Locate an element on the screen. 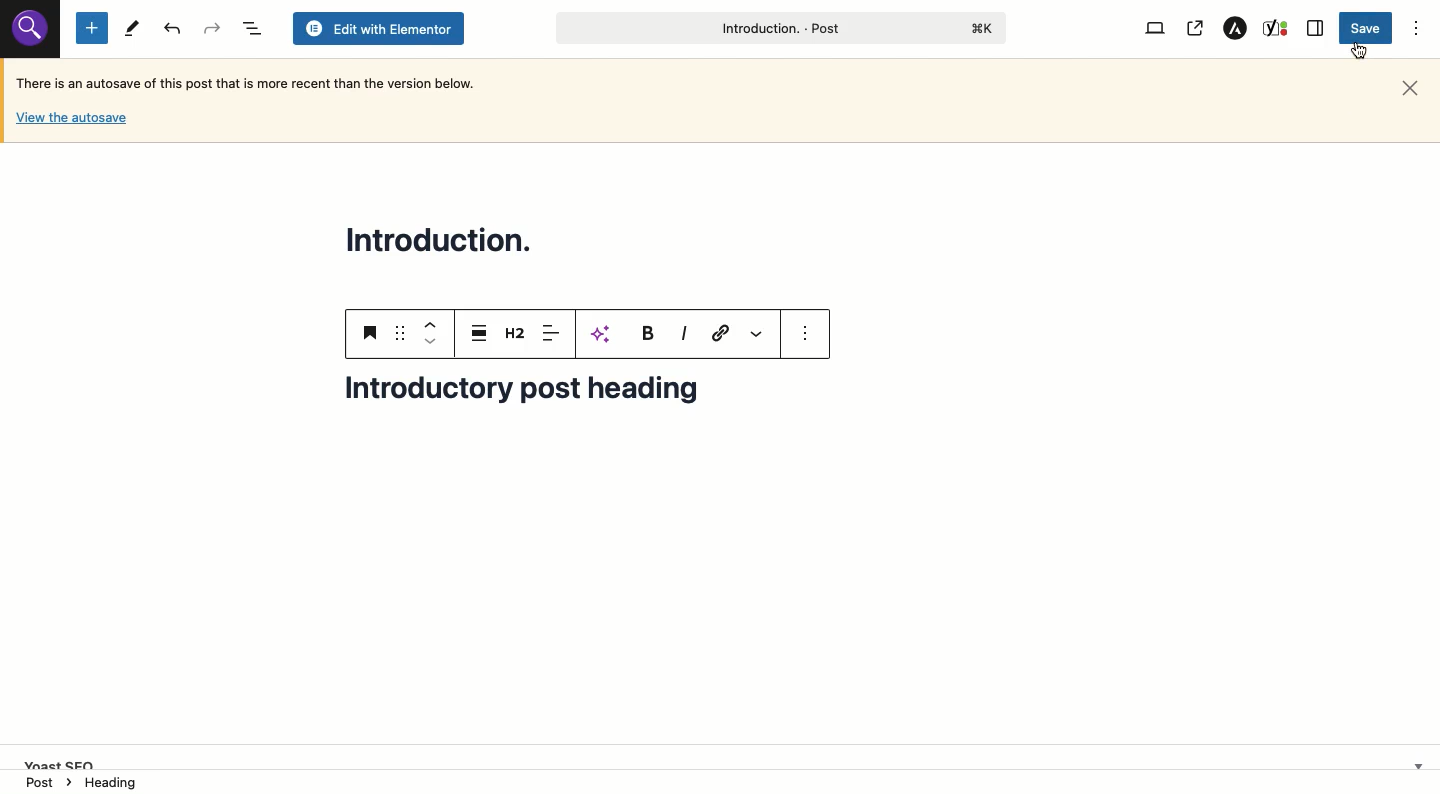 This screenshot has width=1440, height=794. View is located at coordinates (1158, 29).